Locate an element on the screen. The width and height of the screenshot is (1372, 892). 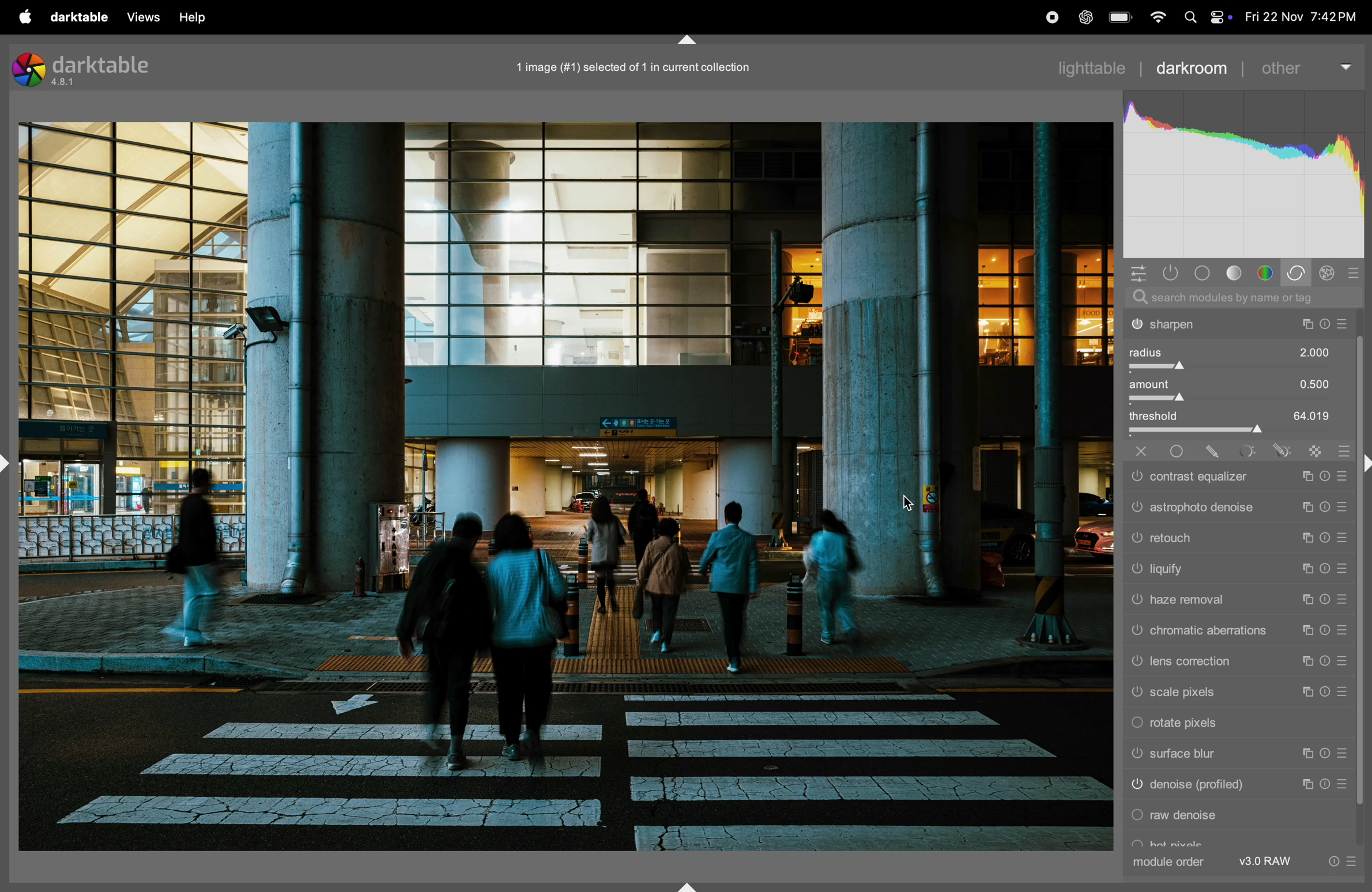
contrast equalizer is located at coordinates (1236, 477).